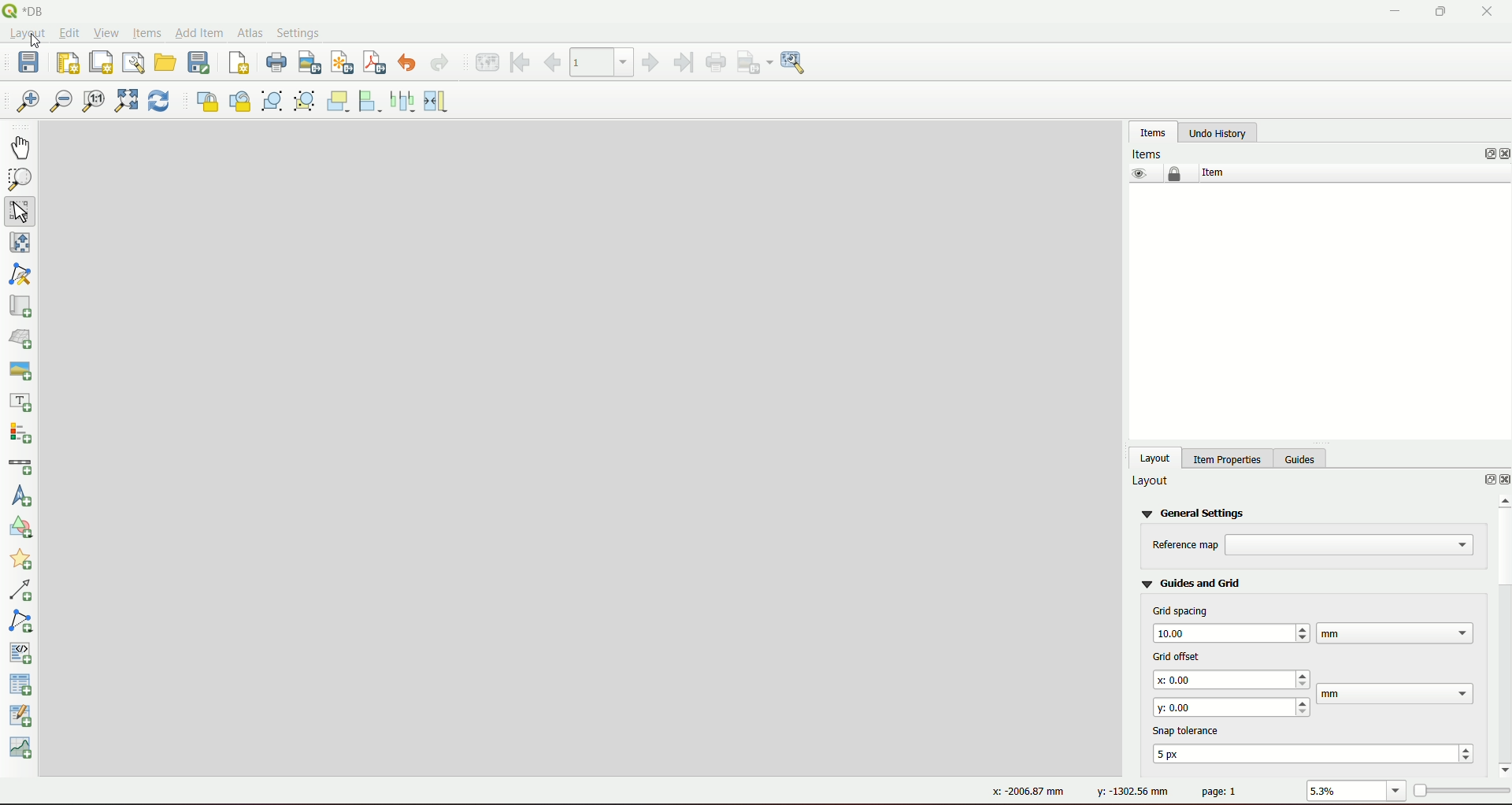 The width and height of the screenshot is (1512, 805). I want to click on text box, so click(1395, 632).